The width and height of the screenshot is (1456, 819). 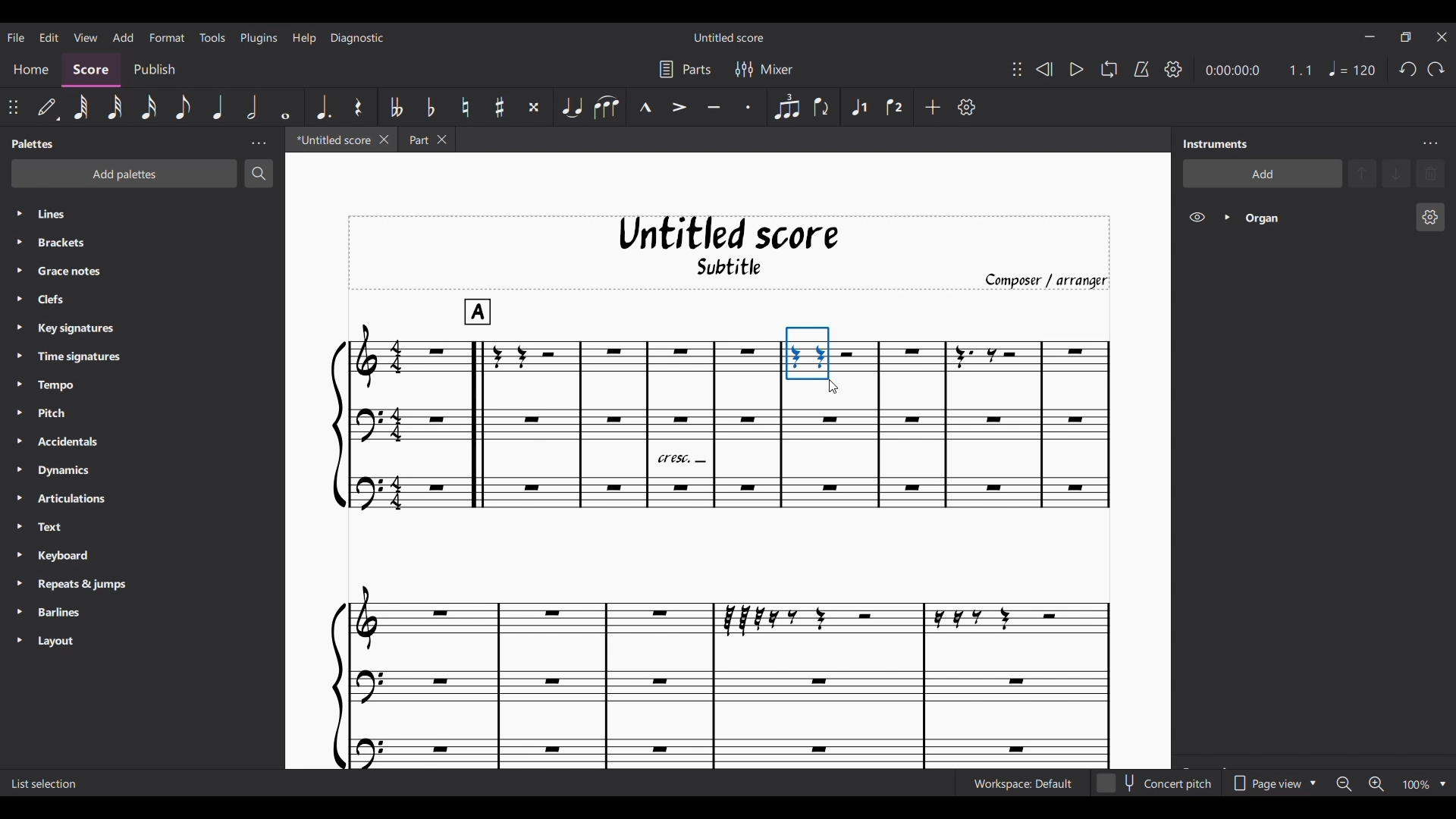 What do you see at coordinates (1396, 174) in the screenshot?
I see `Move selection down` at bounding box center [1396, 174].